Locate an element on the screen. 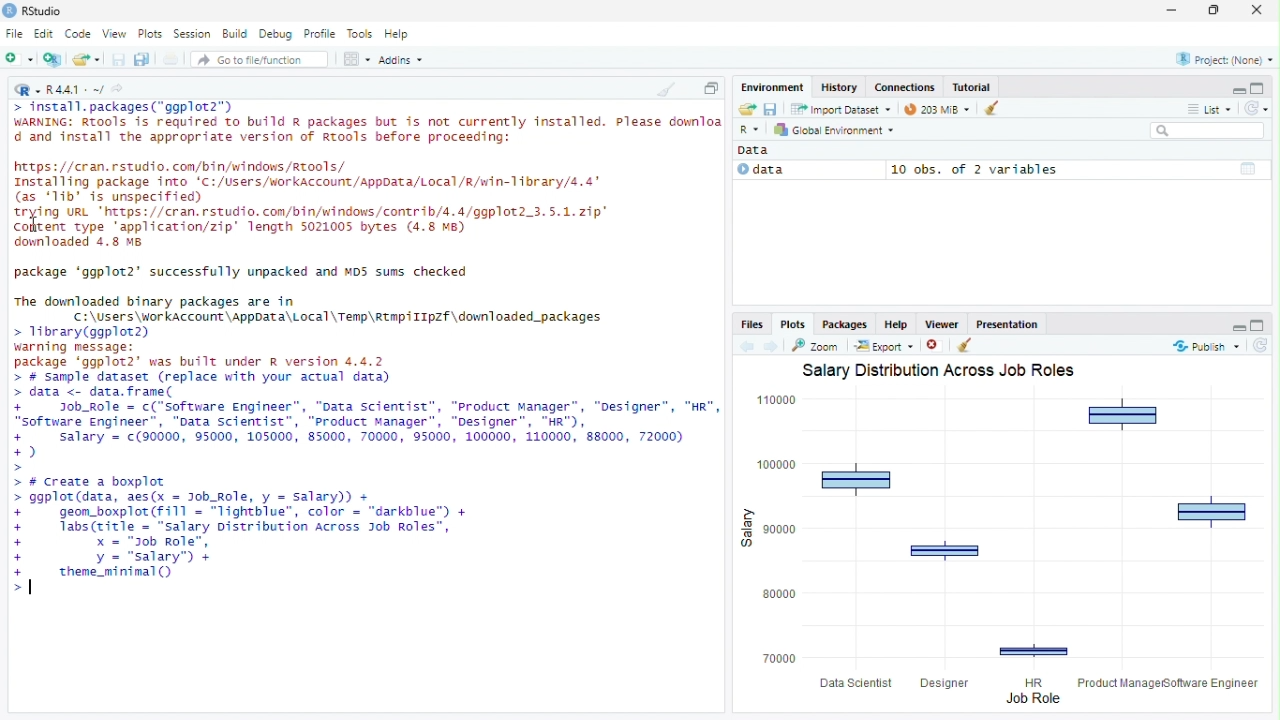 The height and width of the screenshot is (720, 1280). Currently selected project - None is located at coordinates (1223, 58).